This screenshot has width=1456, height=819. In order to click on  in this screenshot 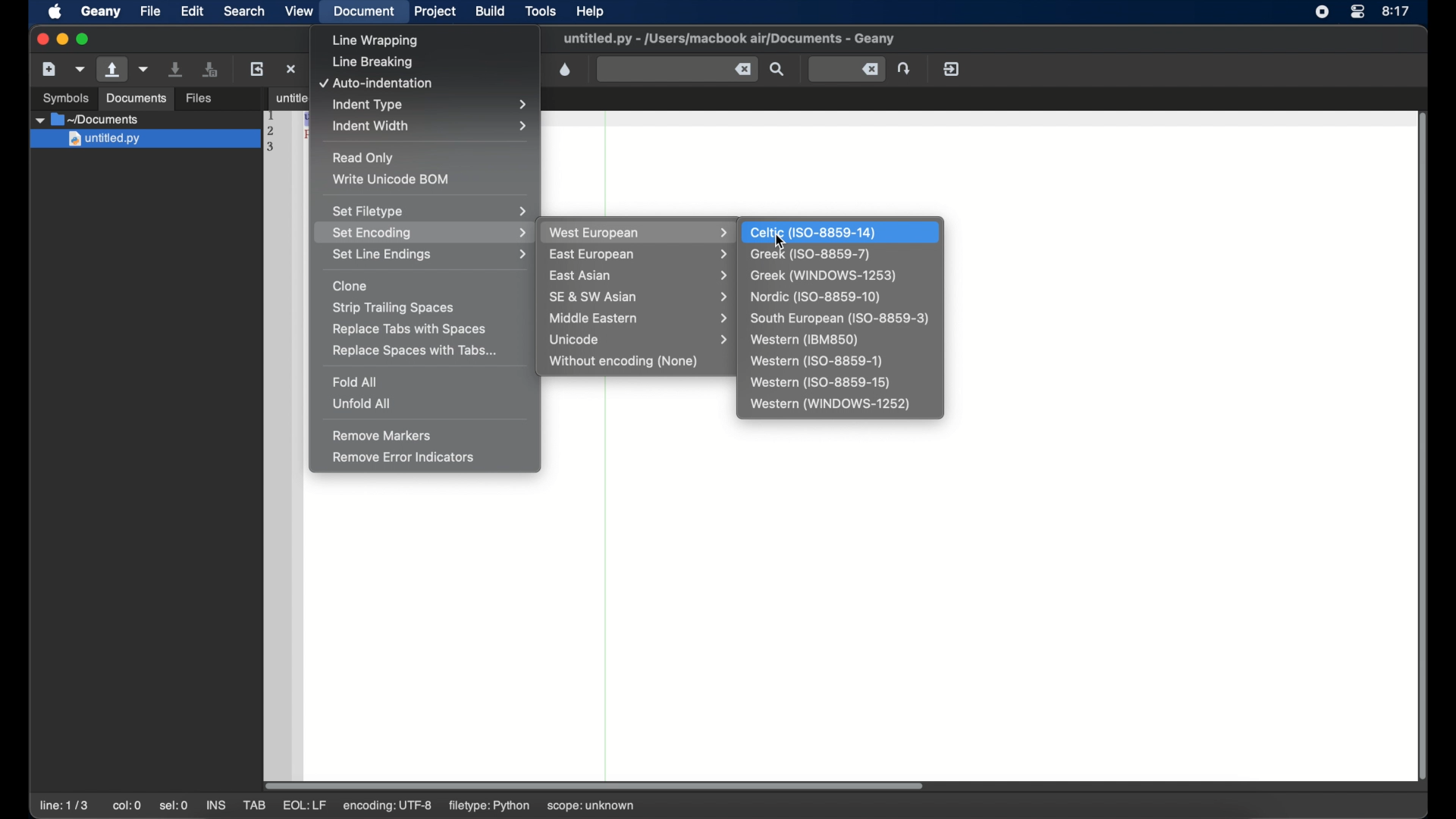, I will do `click(143, 140)`.